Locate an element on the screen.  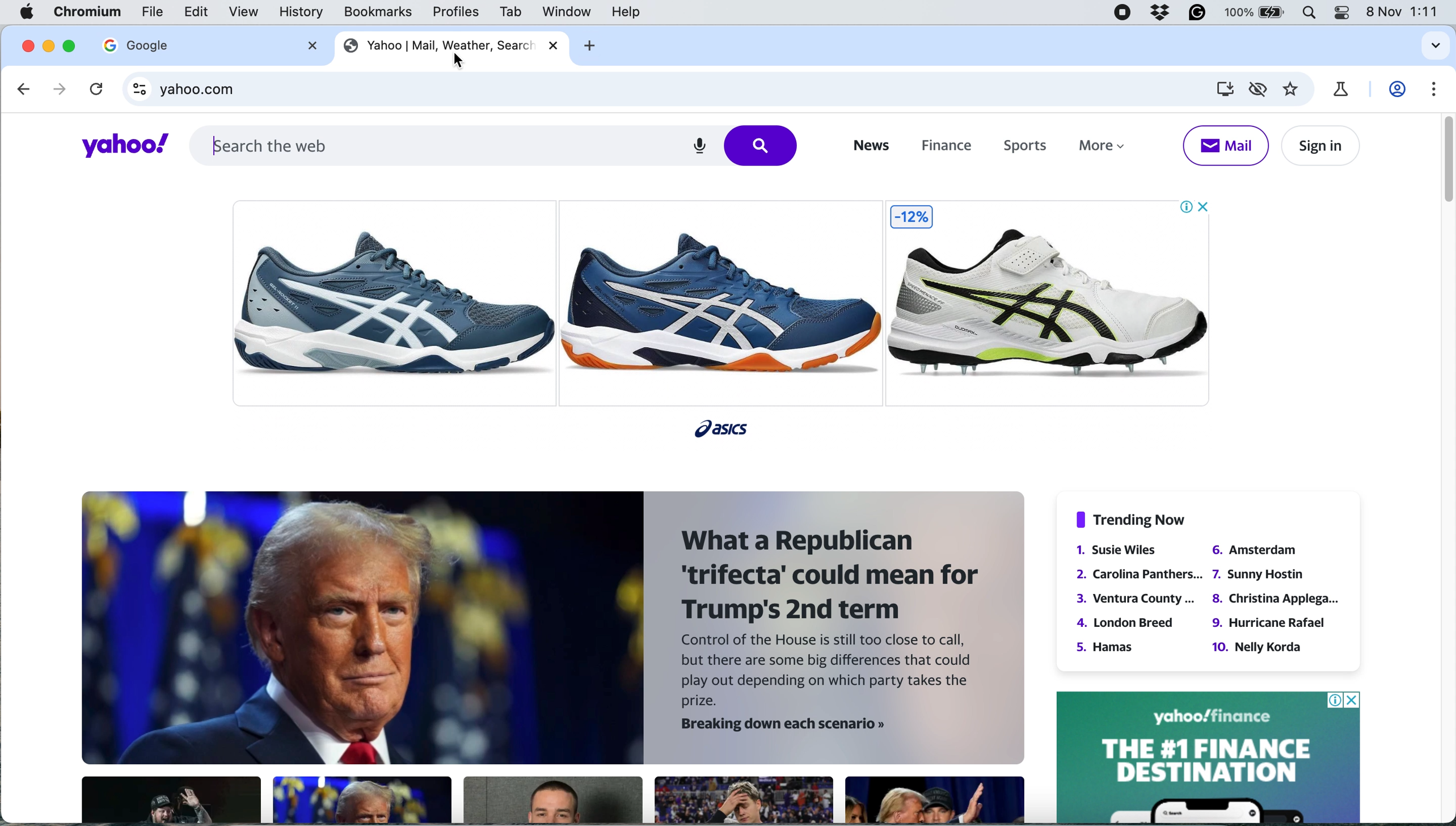
minimise is located at coordinates (50, 45).